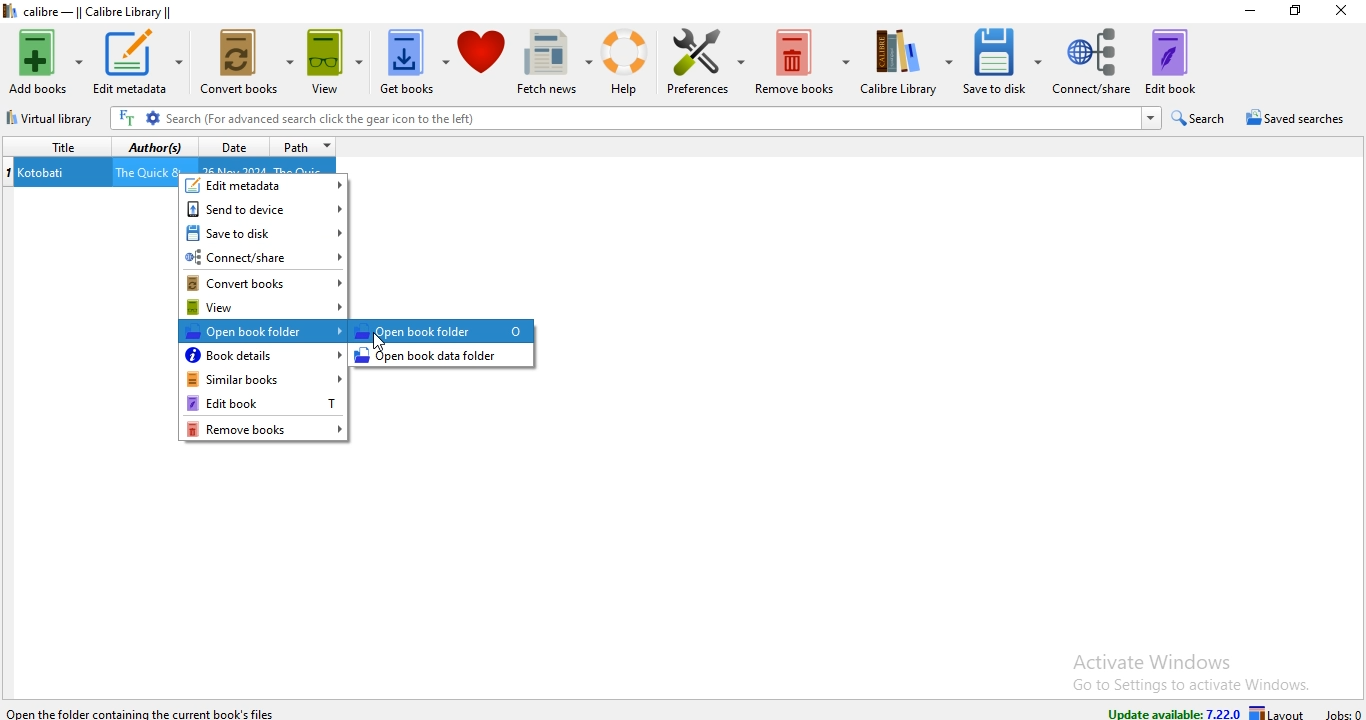  Describe the element at coordinates (266, 231) in the screenshot. I see `save to disk` at that location.